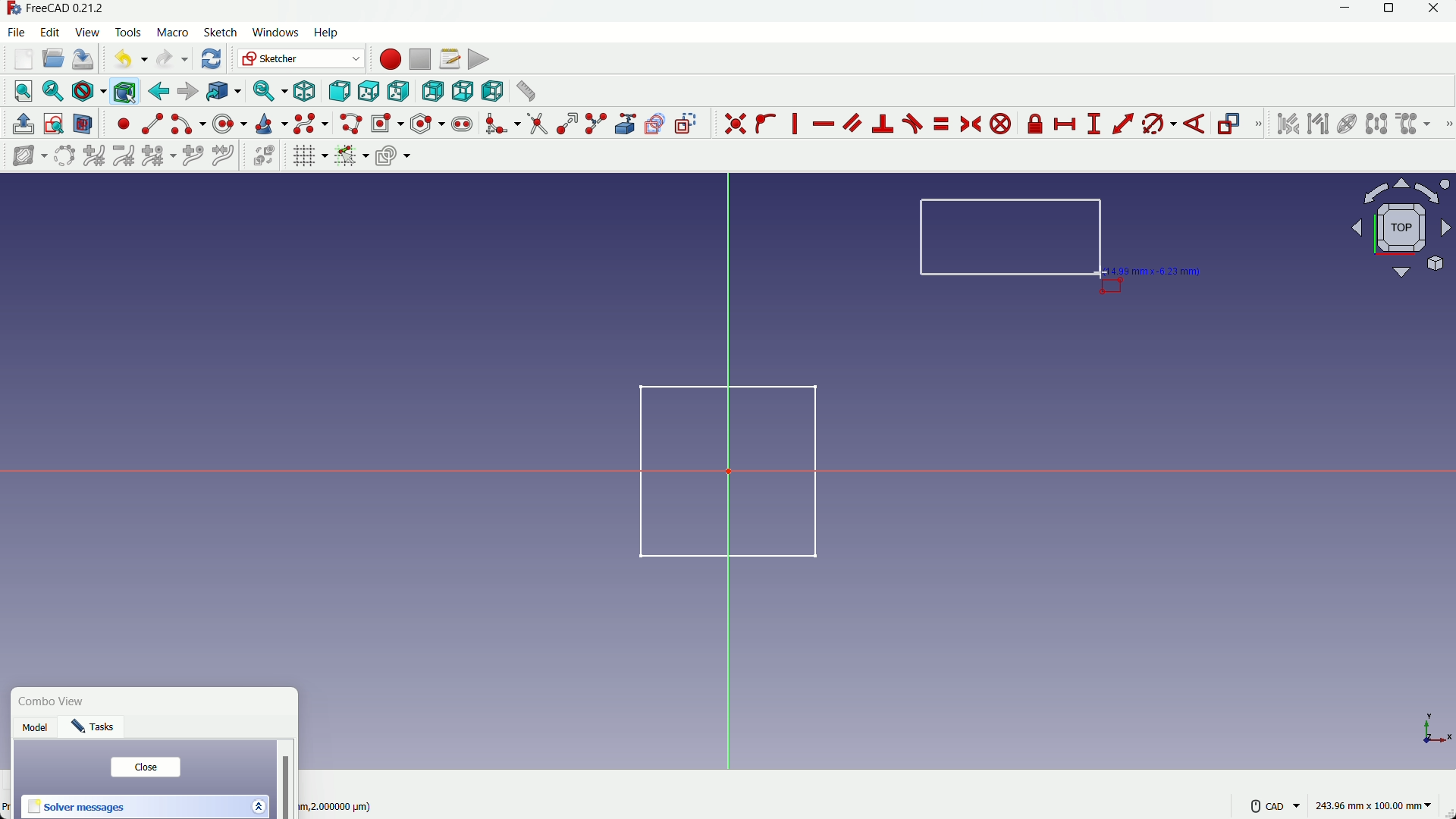  Describe the element at coordinates (124, 91) in the screenshot. I see `bounding box` at that location.